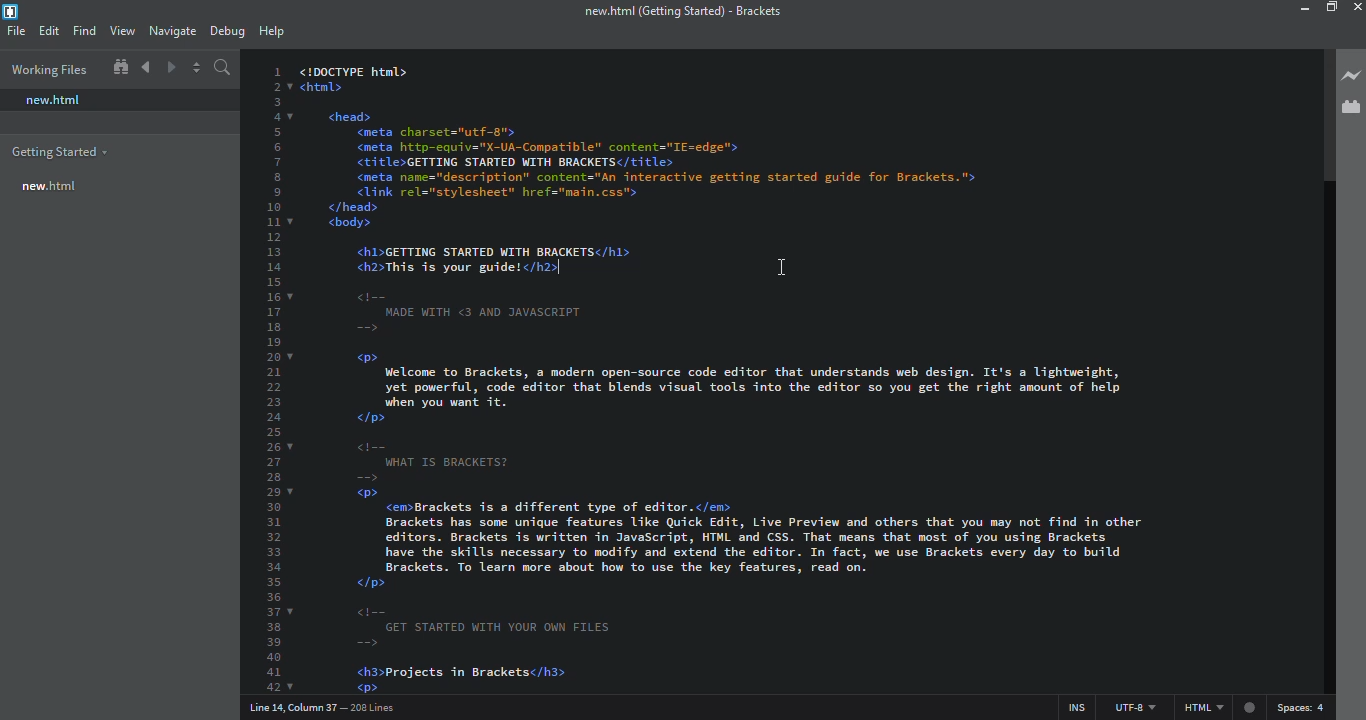  Describe the element at coordinates (170, 68) in the screenshot. I see `navigate forward` at that location.